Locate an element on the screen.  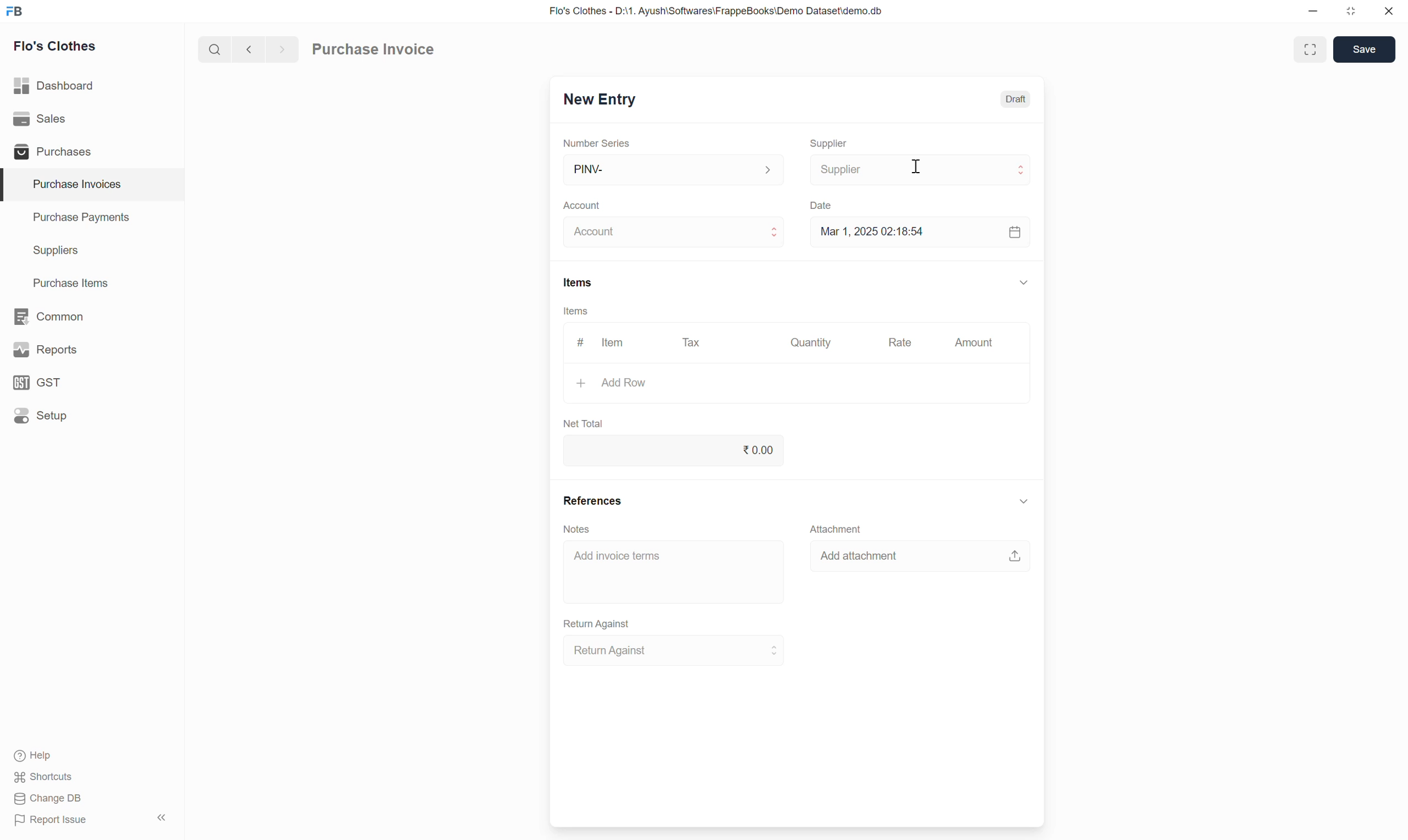
Change DB is located at coordinates (49, 798).